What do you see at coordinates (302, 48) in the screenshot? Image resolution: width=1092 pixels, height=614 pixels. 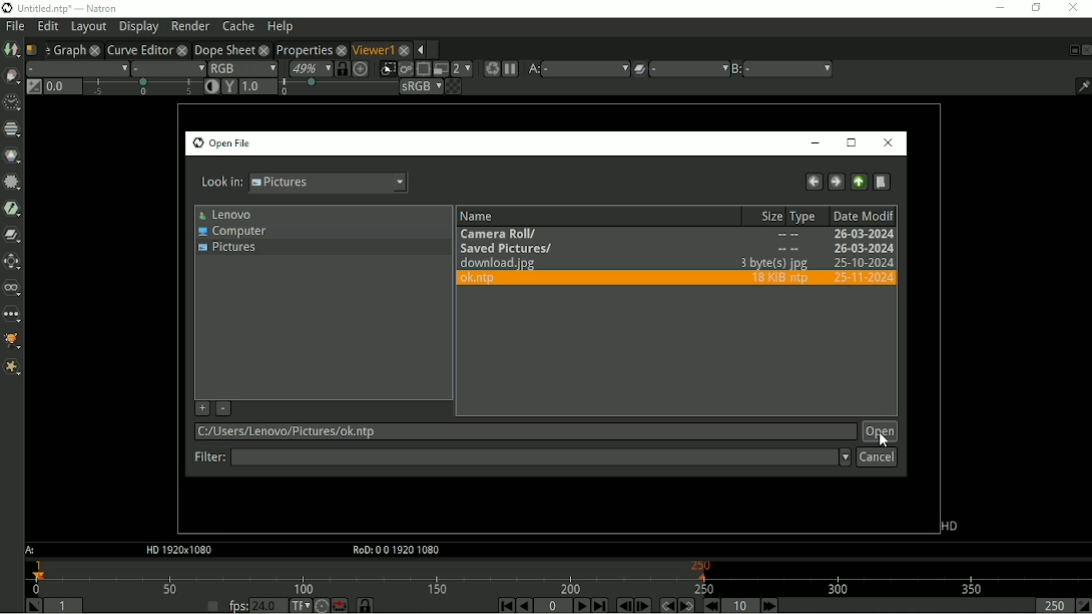 I see `Properties` at bounding box center [302, 48].